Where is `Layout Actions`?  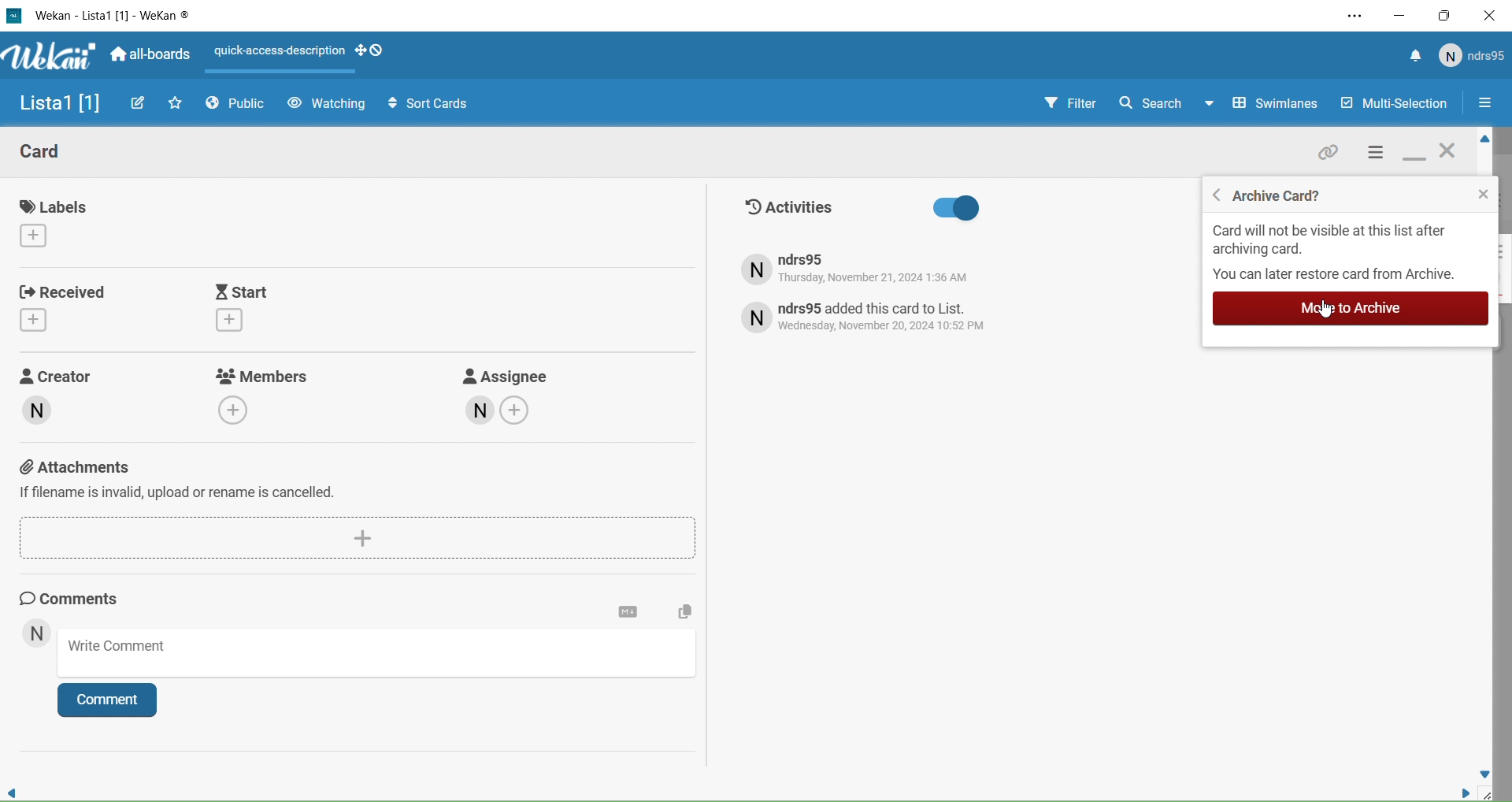
Layout Actions is located at coordinates (274, 51).